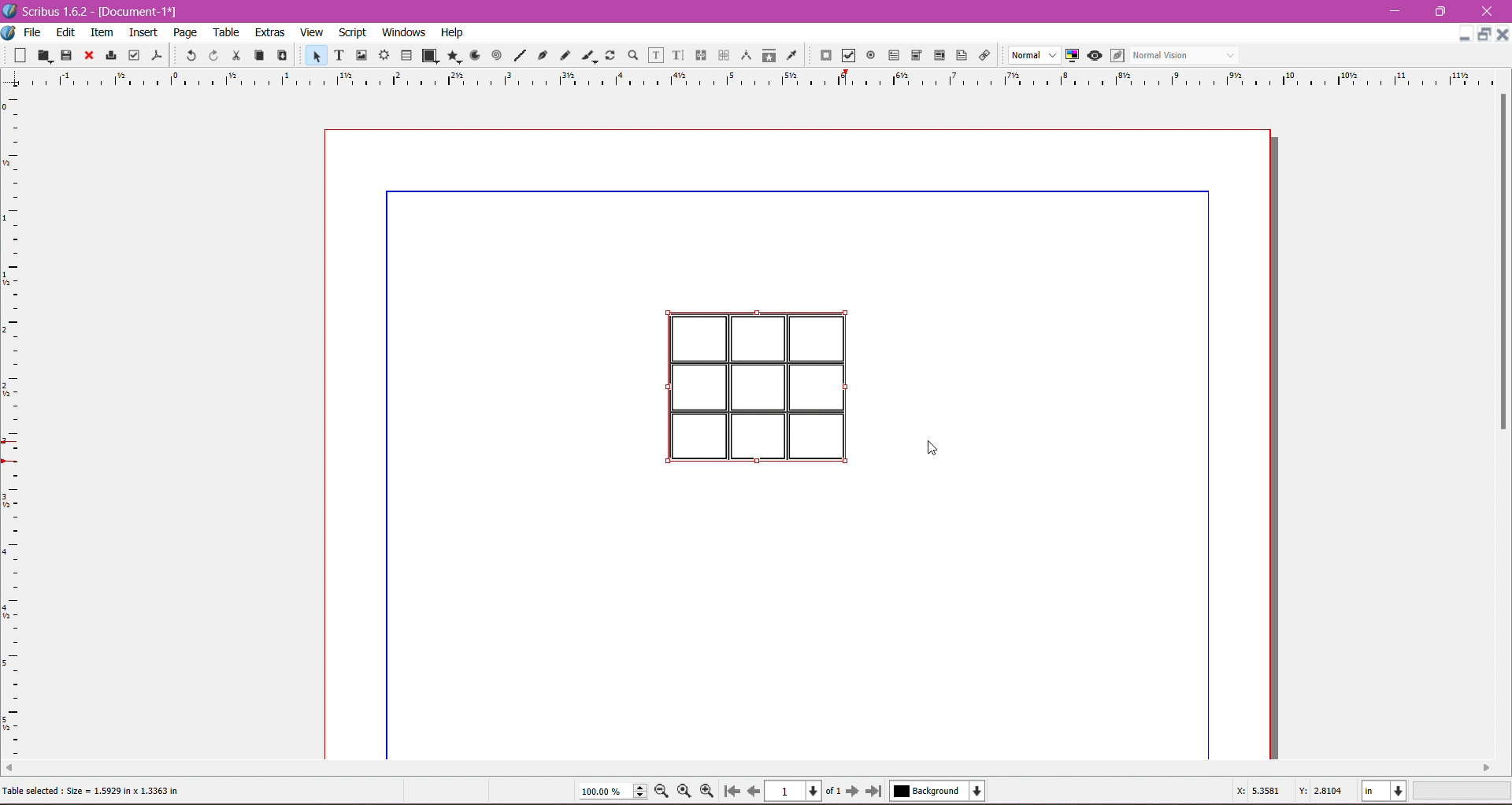 The width and height of the screenshot is (1512, 805). What do you see at coordinates (1385, 788) in the screenshot?
I see `in / Unit` at bounding box center [1385, 788].